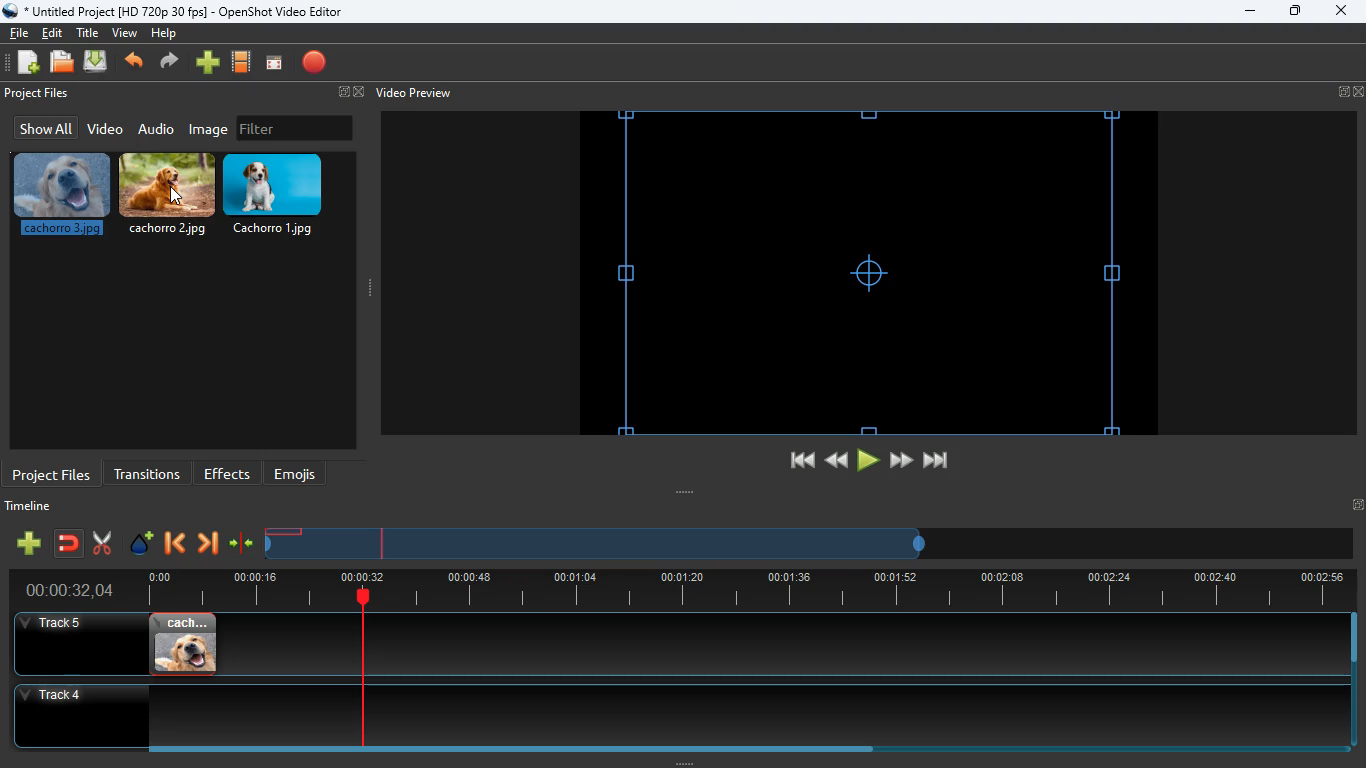 This screenshot has height=768, width=1366. What do you see at coordinates (169, 194) in the screenshot?
I see `cachorro.2.jpg` at bounding box center [169, 194].